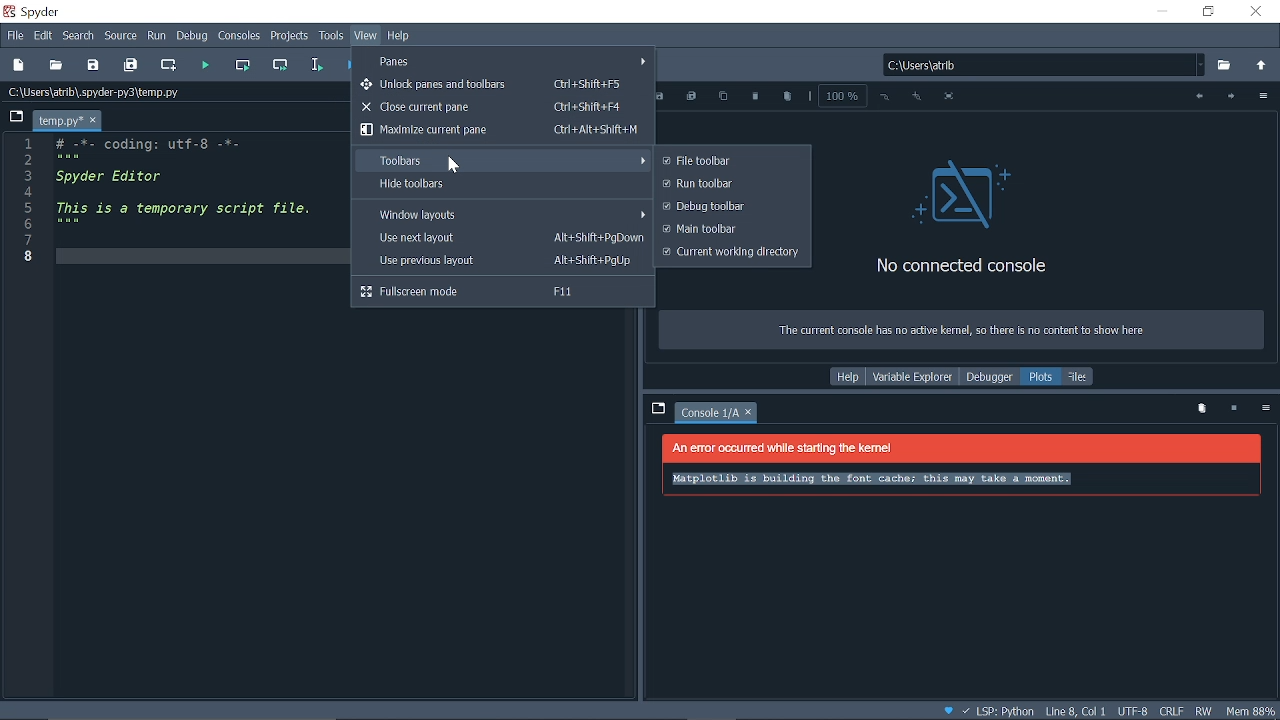 This screenshot has height=720, width=1280. What do you see at coordinates (366, 36) in the screenshot?
I see `View` at bounding box center [366, 36].